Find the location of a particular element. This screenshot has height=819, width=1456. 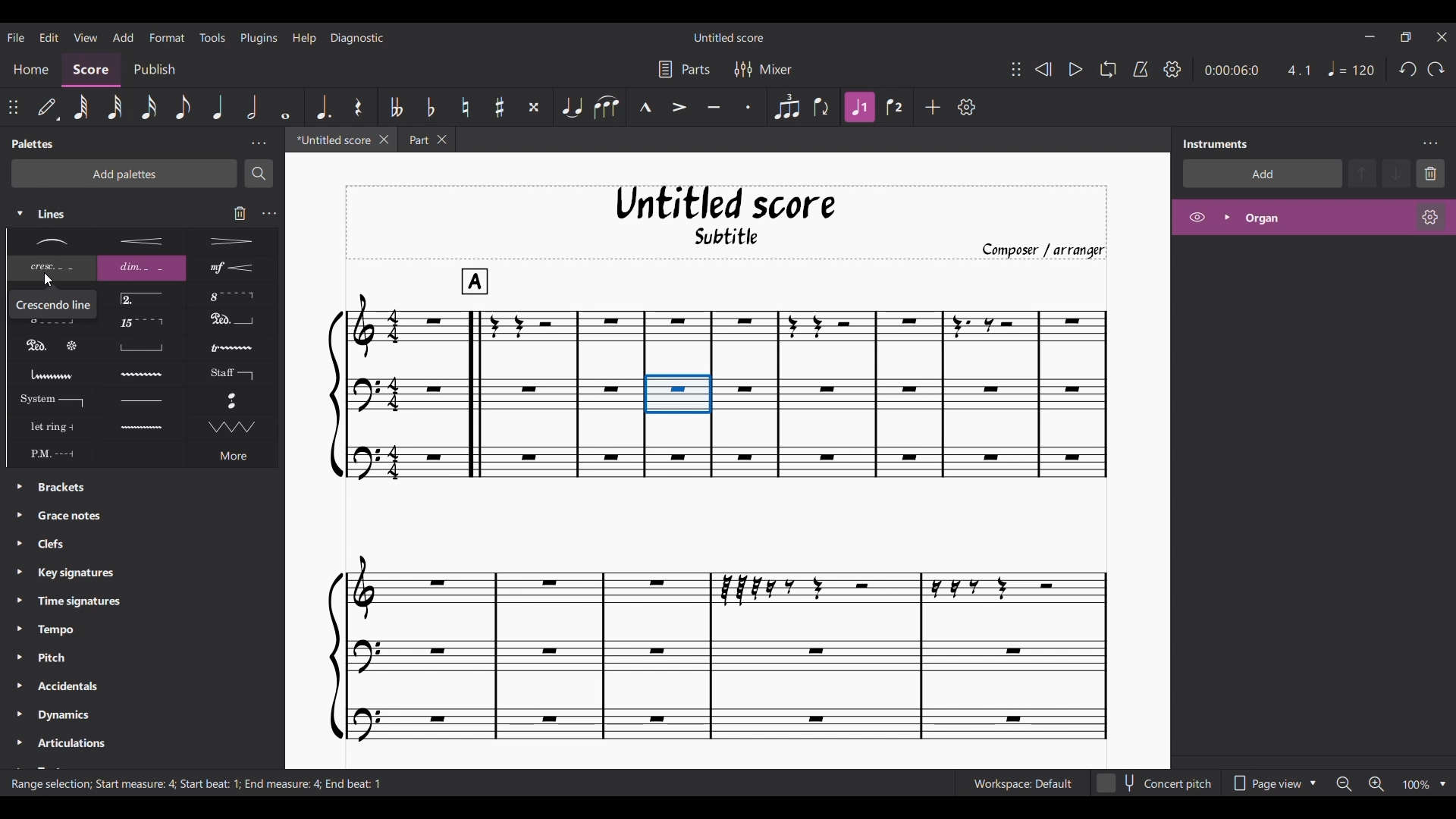

Parts settings is located at coordinates (684, 68).